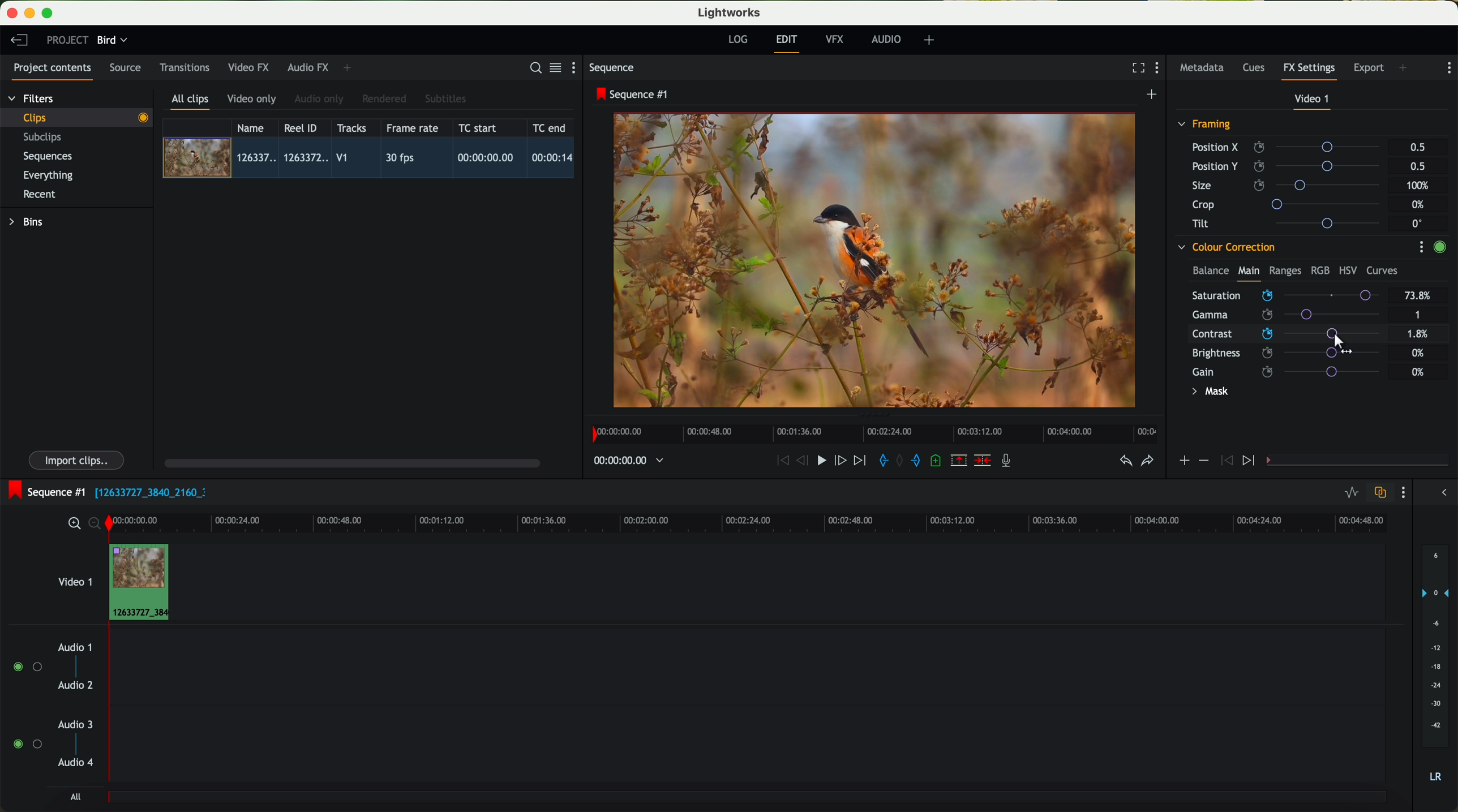 Image resolution: width=1458 pixels, height=812 pixels. Describe the element at coordinates (112, 41) in the screenshot. I see `bird` at that location.